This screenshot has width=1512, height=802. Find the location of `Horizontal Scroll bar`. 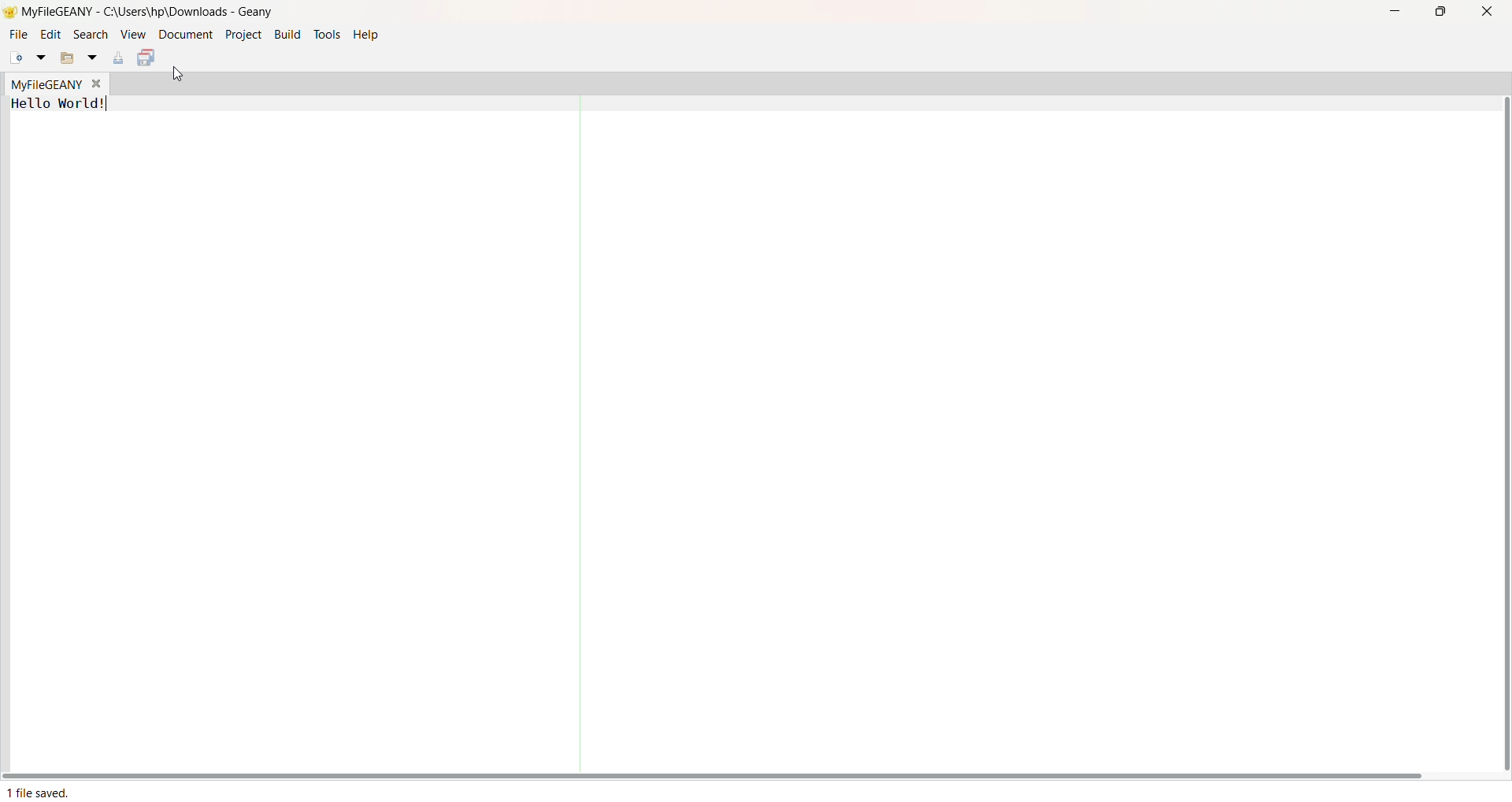

Horizontal Scroll bar is located at coordinates (717, 777).